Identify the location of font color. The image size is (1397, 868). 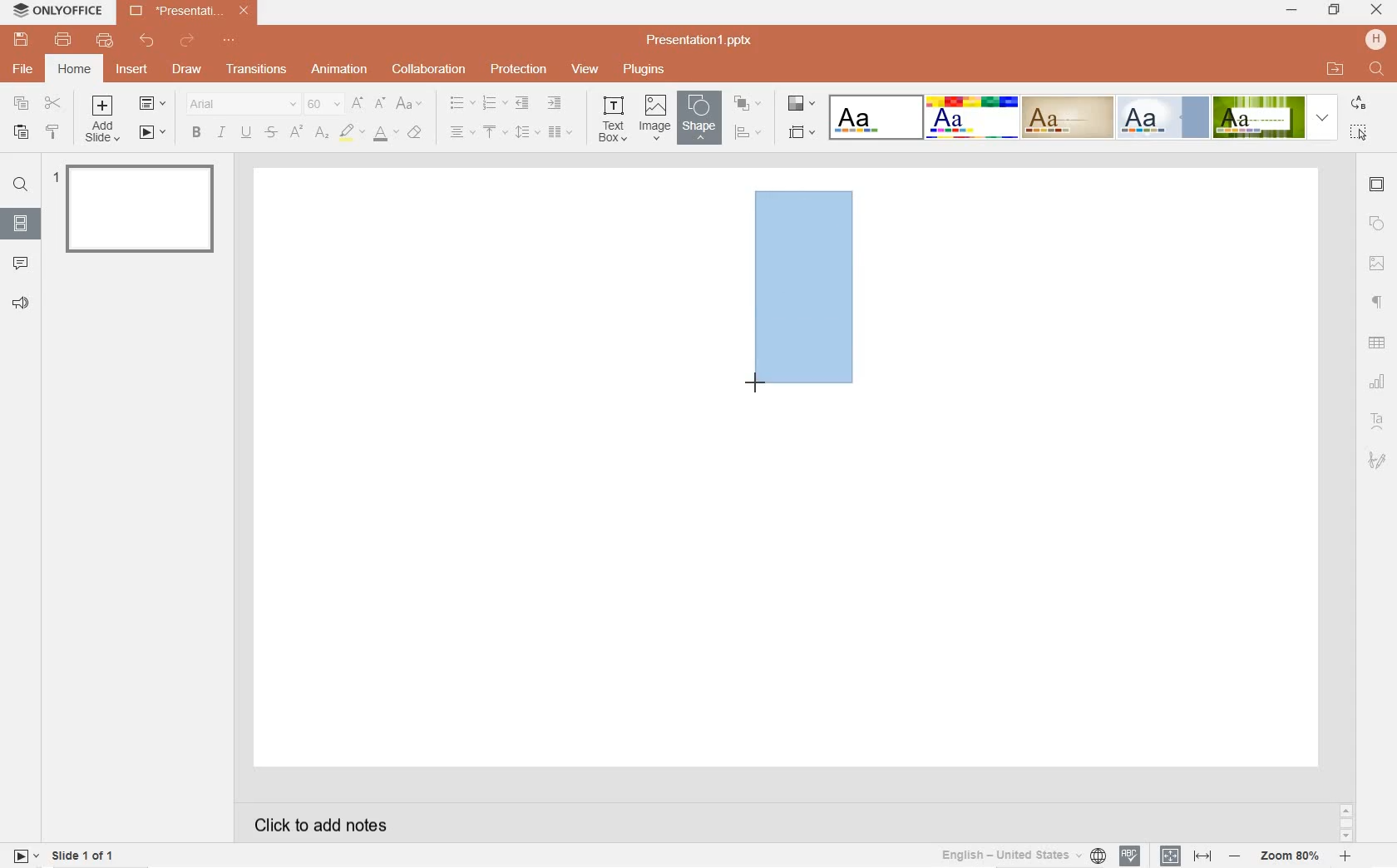
(386, 136).